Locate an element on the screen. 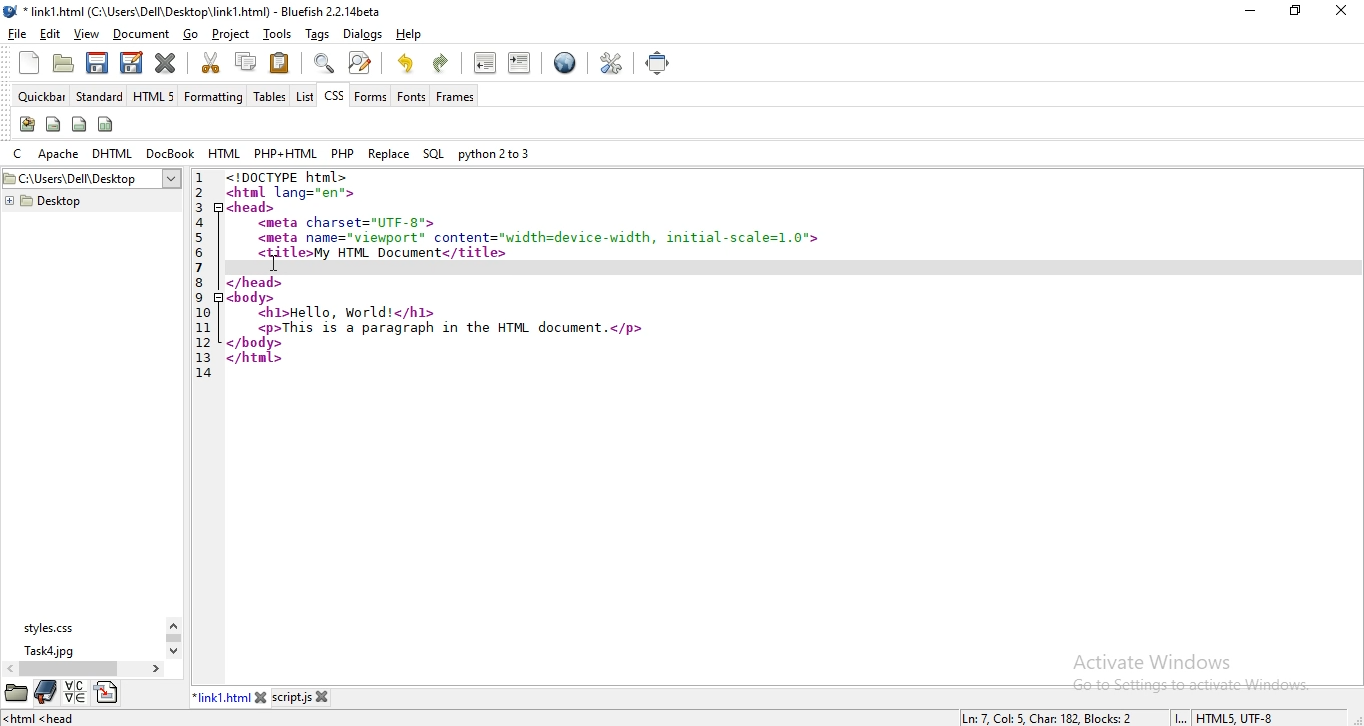  13 is located at coordinates (203, 358).